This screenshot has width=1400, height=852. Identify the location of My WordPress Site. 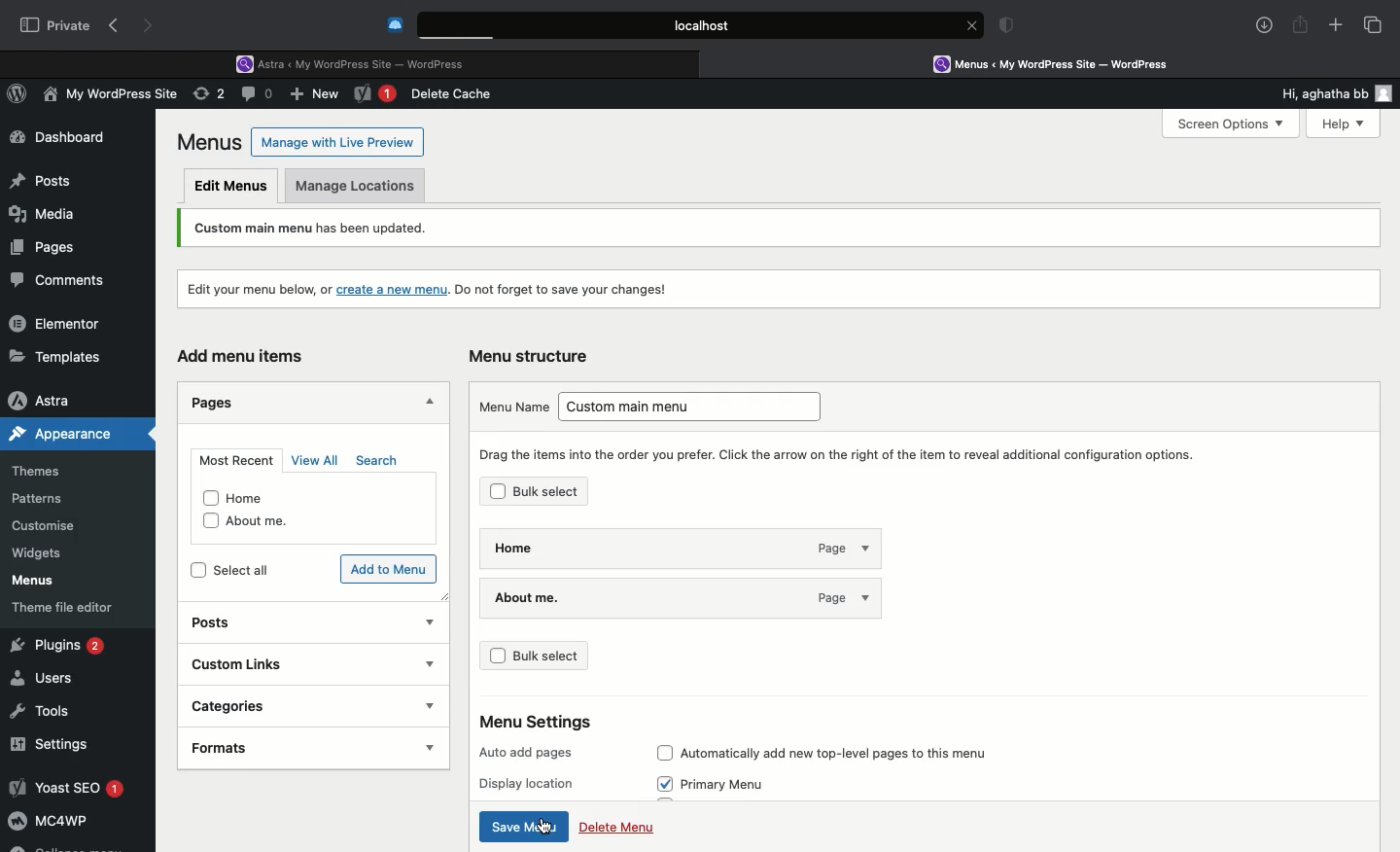
(107, 97).